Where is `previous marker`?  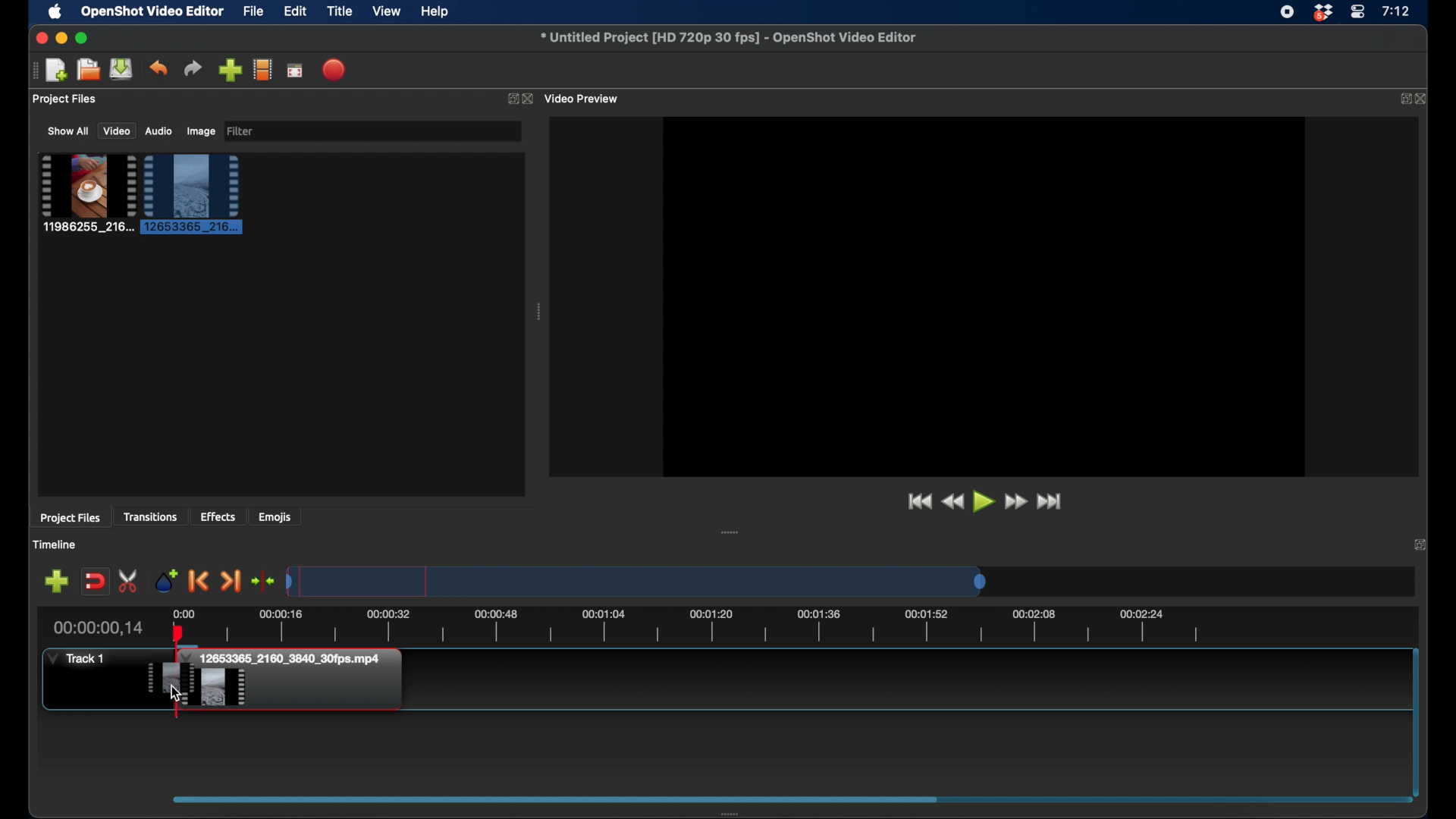
previous marker is located at coordinates (199, 581).